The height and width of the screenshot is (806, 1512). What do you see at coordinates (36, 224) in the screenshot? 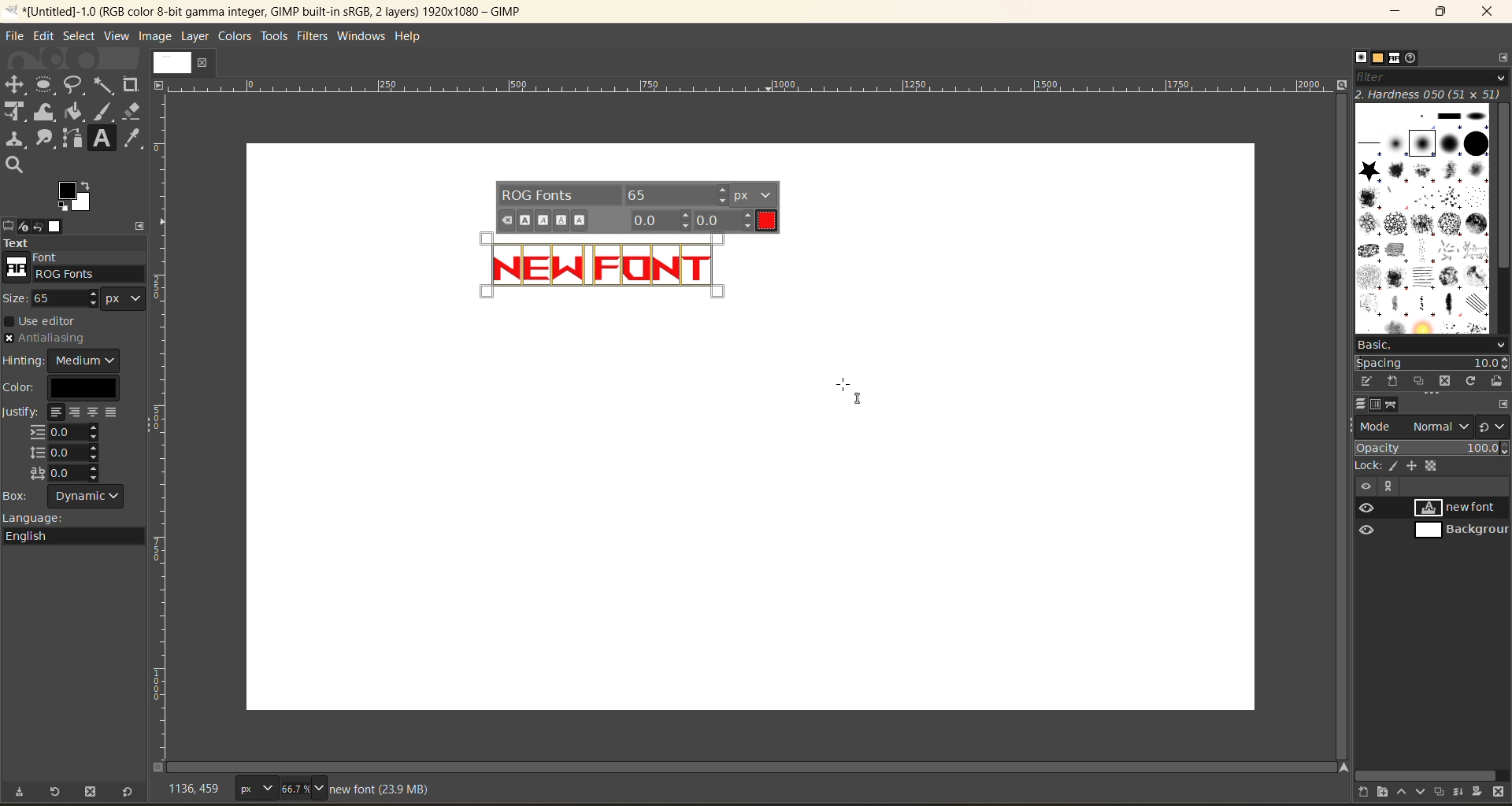
I see `undo history` at bounding box center [36, 224].